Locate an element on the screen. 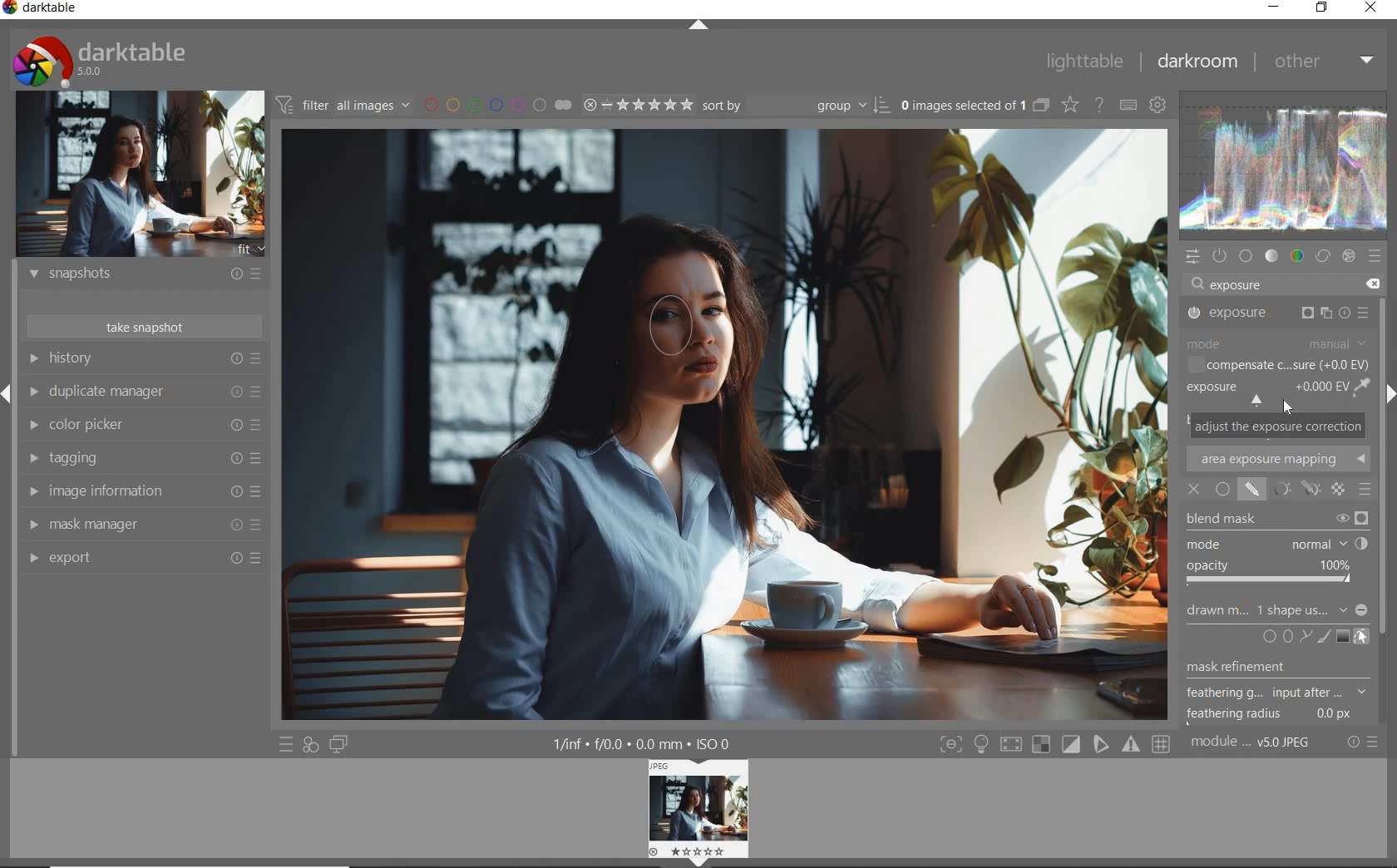 The image size is (1397, 868). image preview is located at coordinates (141, 176).